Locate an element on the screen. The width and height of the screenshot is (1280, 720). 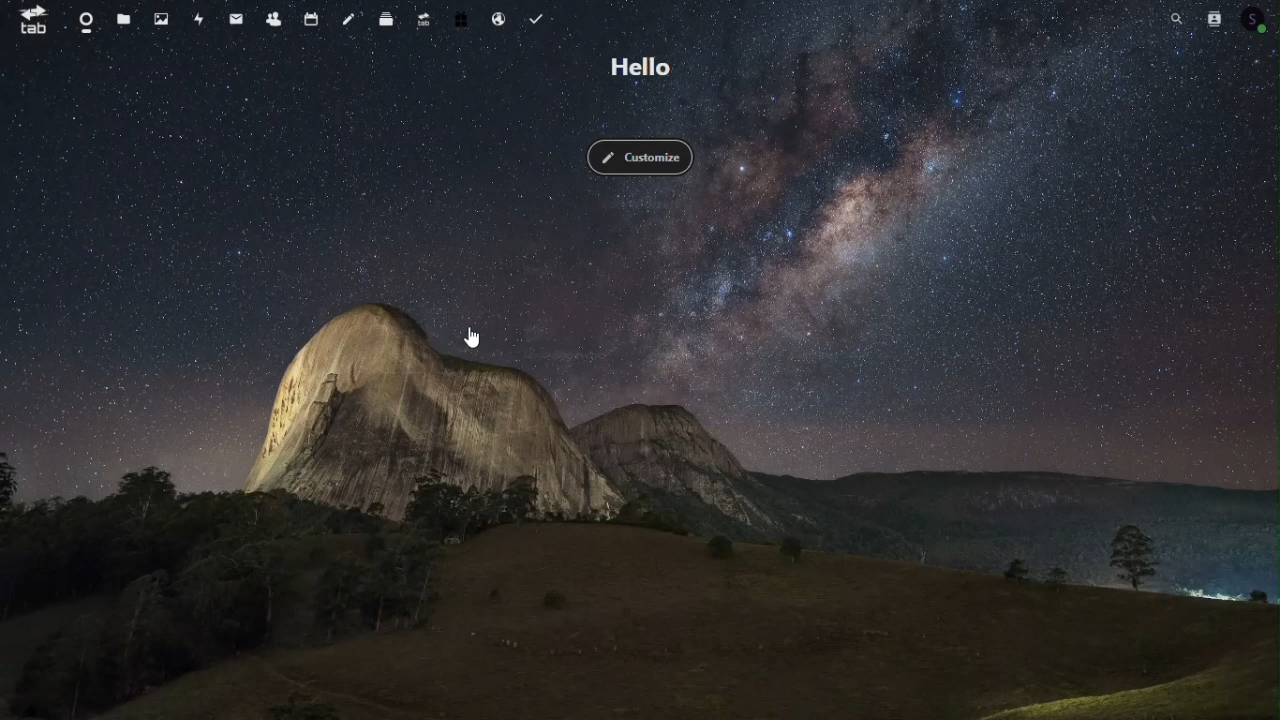
Account icon is located at coordinates (1258, 19).